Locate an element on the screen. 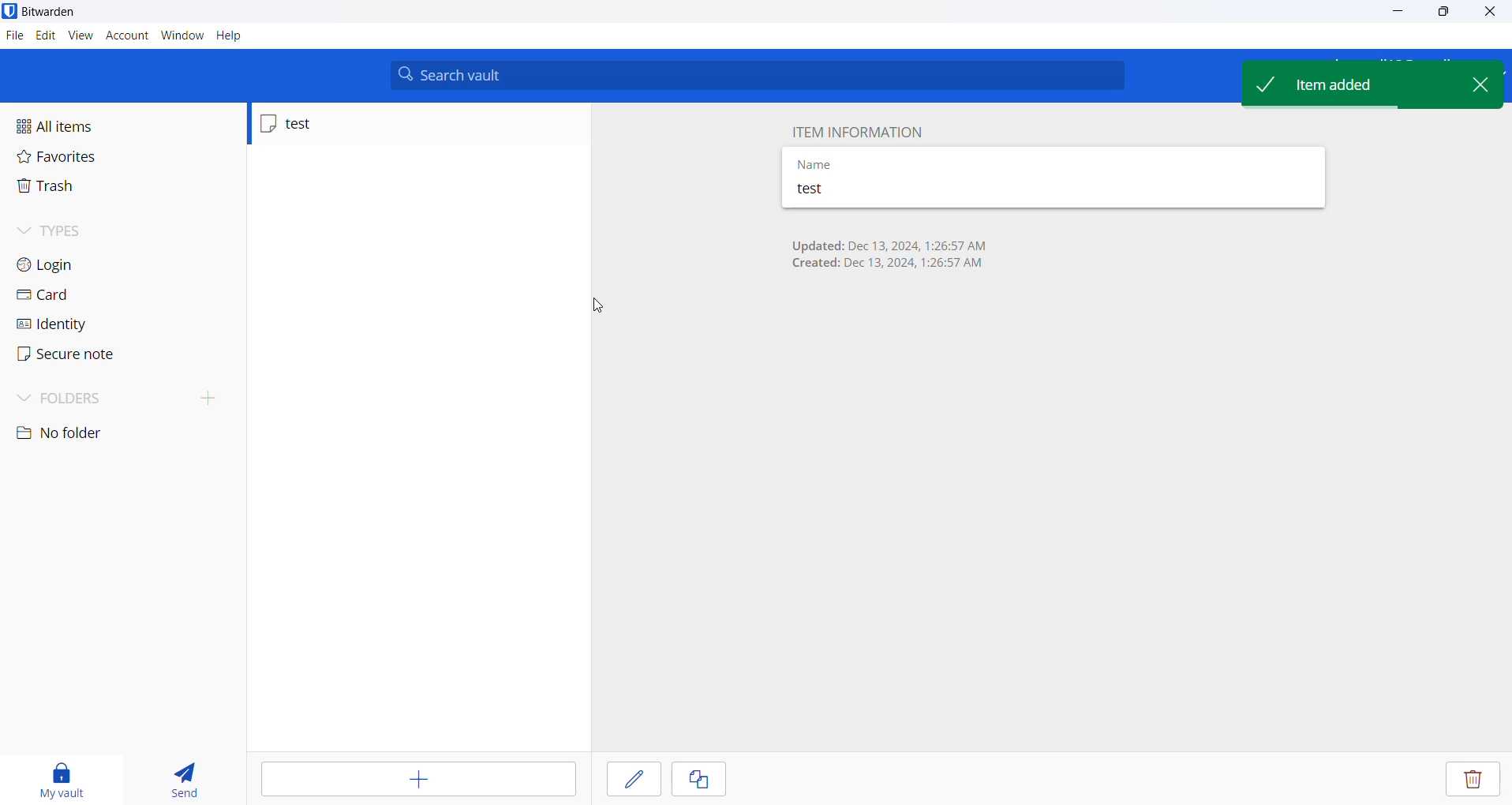  folders is located at coordinates (123, 399).